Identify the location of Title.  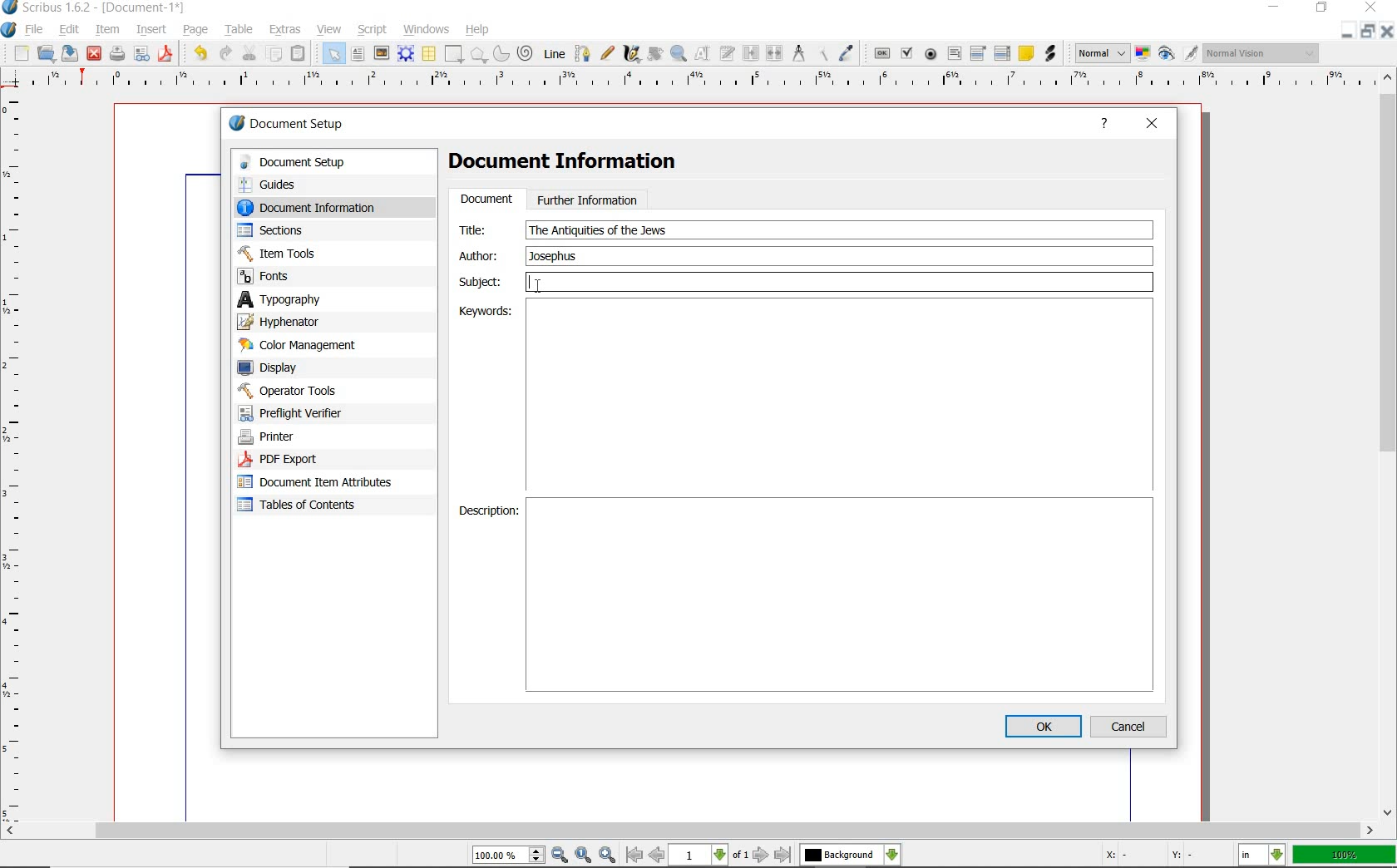
(483, 229).